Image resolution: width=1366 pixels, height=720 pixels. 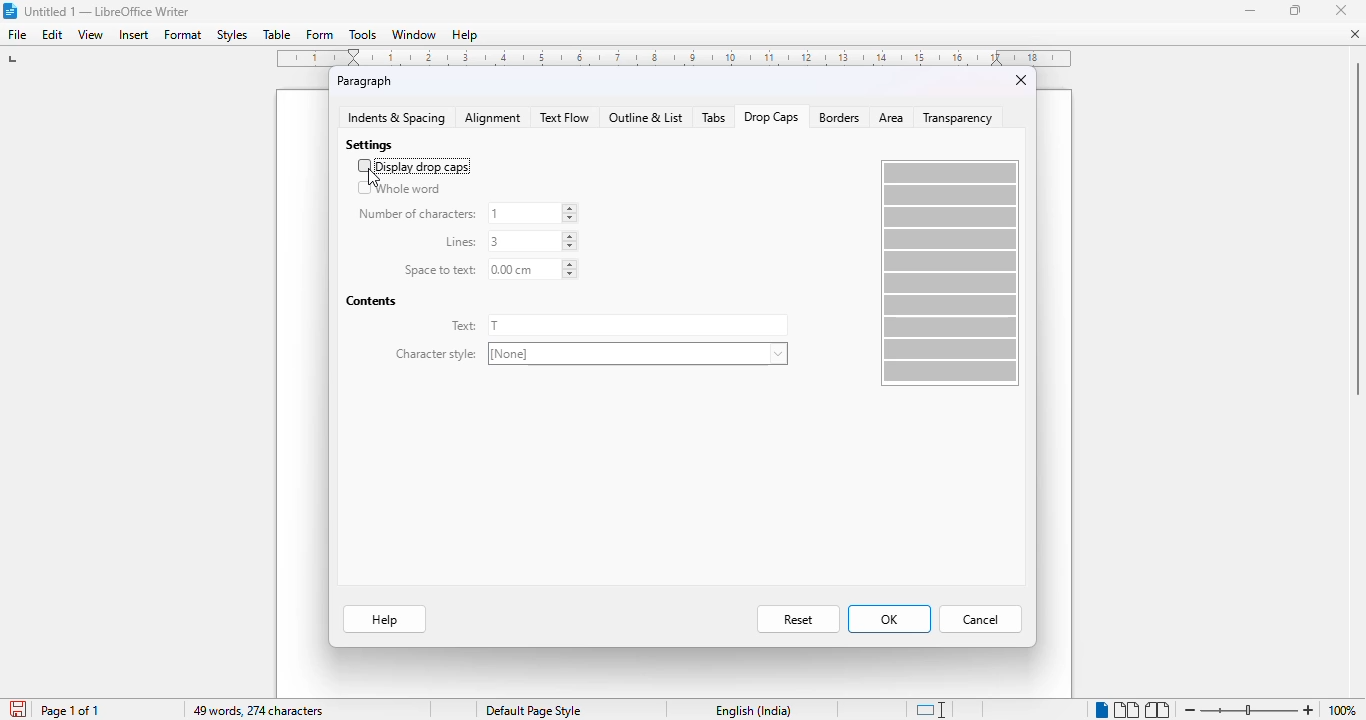 I want to click on OK, so click(x=890, y=619).